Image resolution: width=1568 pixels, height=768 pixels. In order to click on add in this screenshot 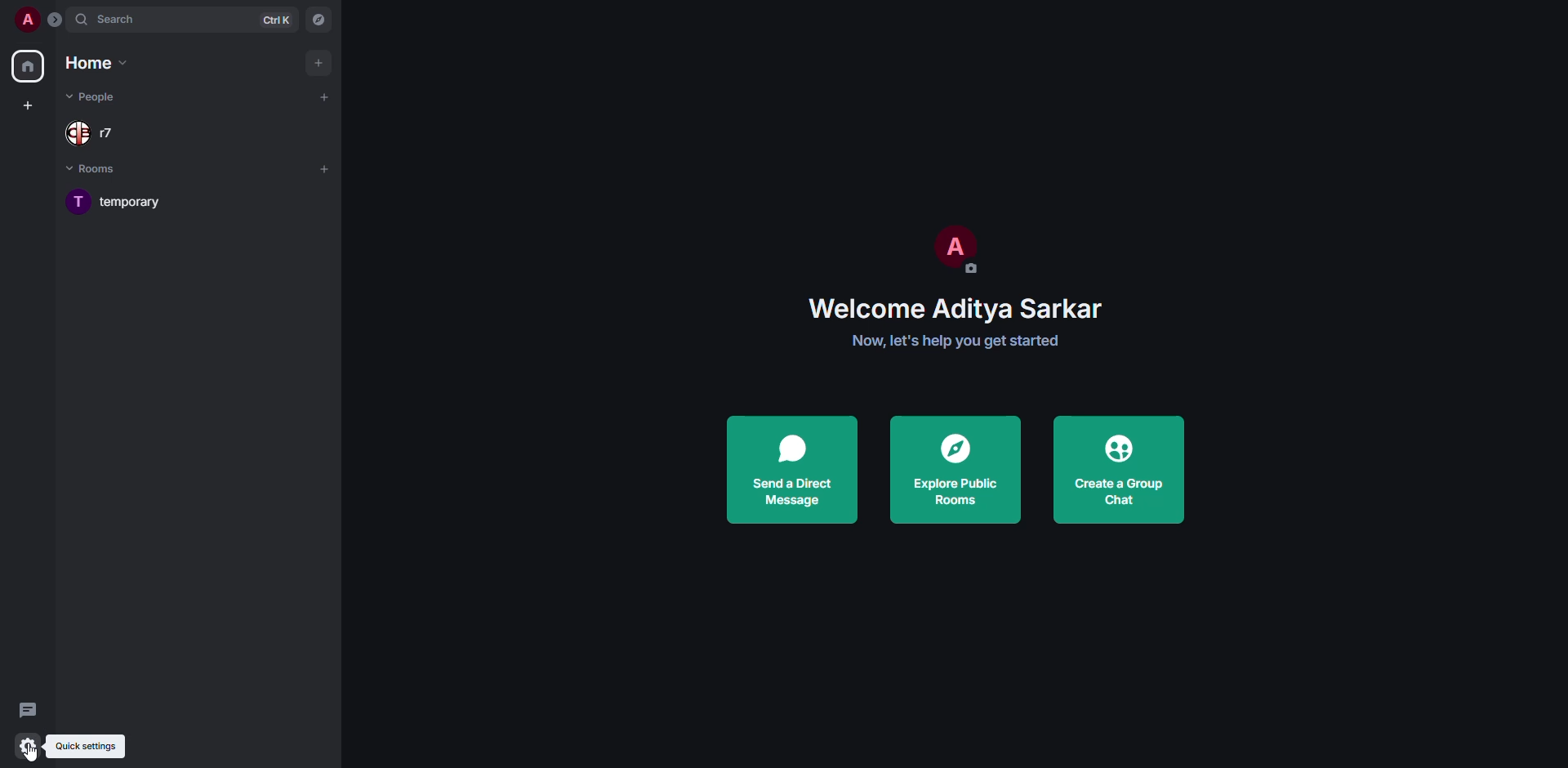, I will do `click(328, 94)`.